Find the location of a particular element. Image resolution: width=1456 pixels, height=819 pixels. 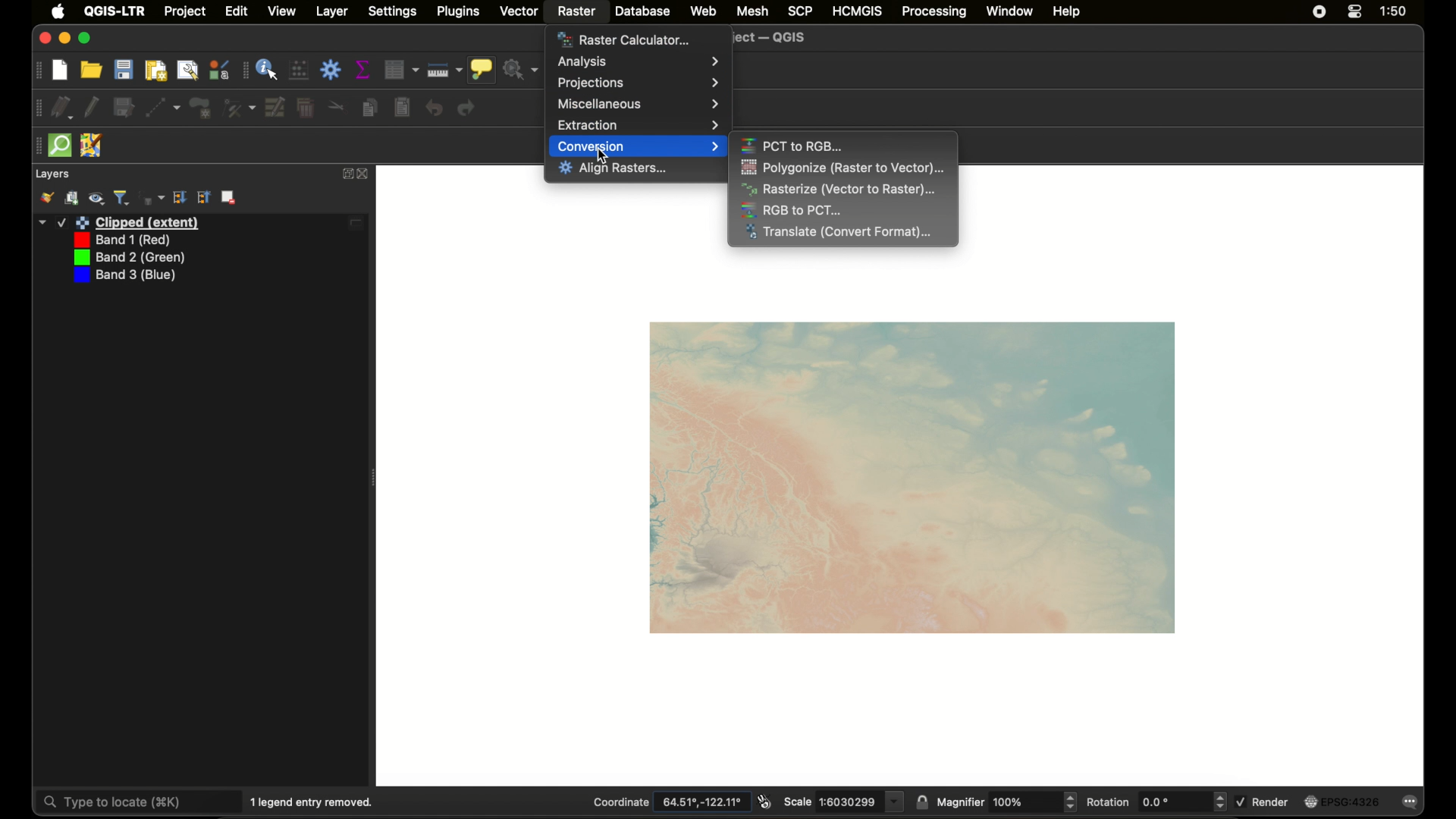

settings is located at coordinates (393, 12).